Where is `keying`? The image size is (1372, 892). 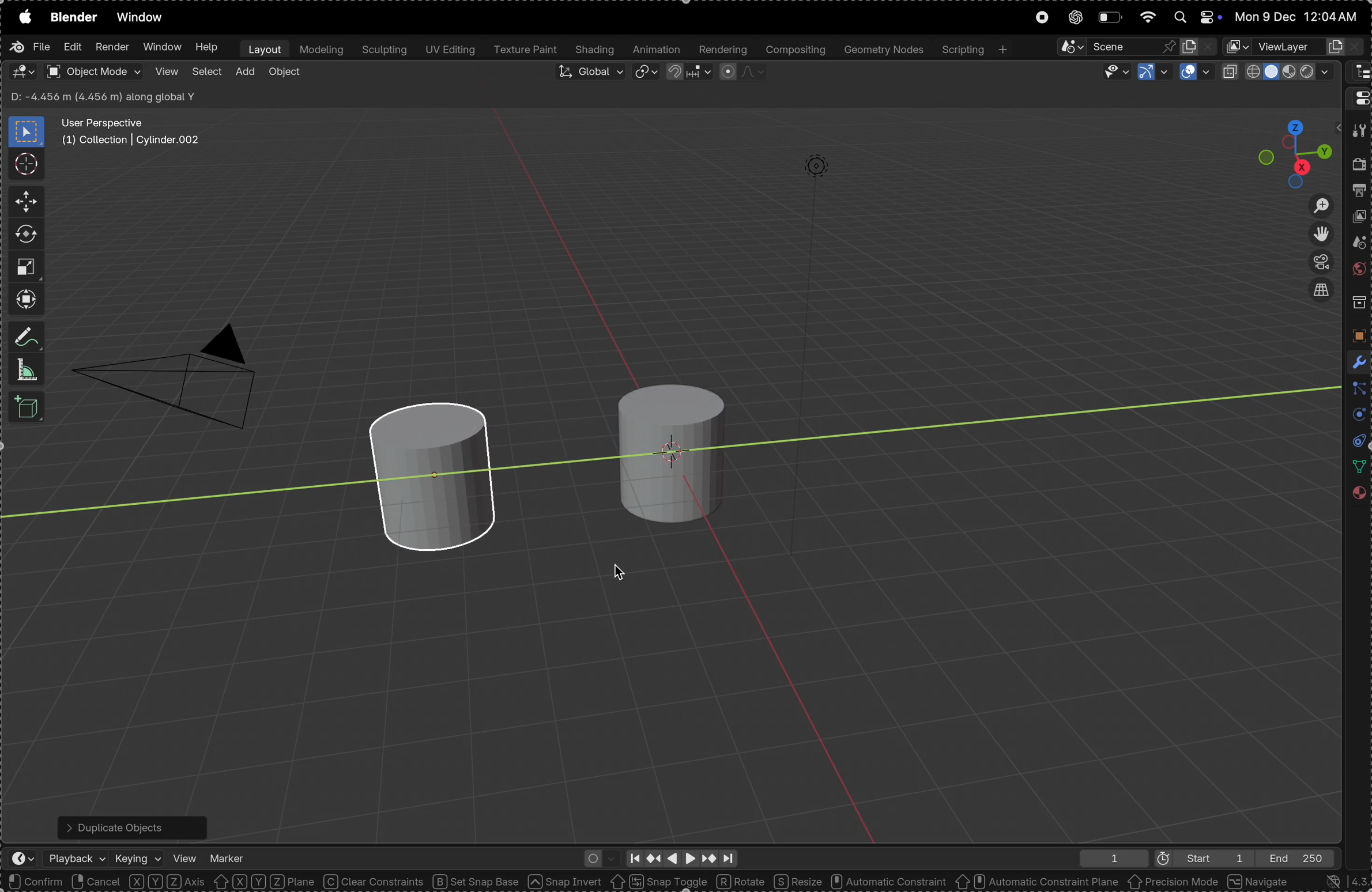
keying is located at coordinates (138, 855).